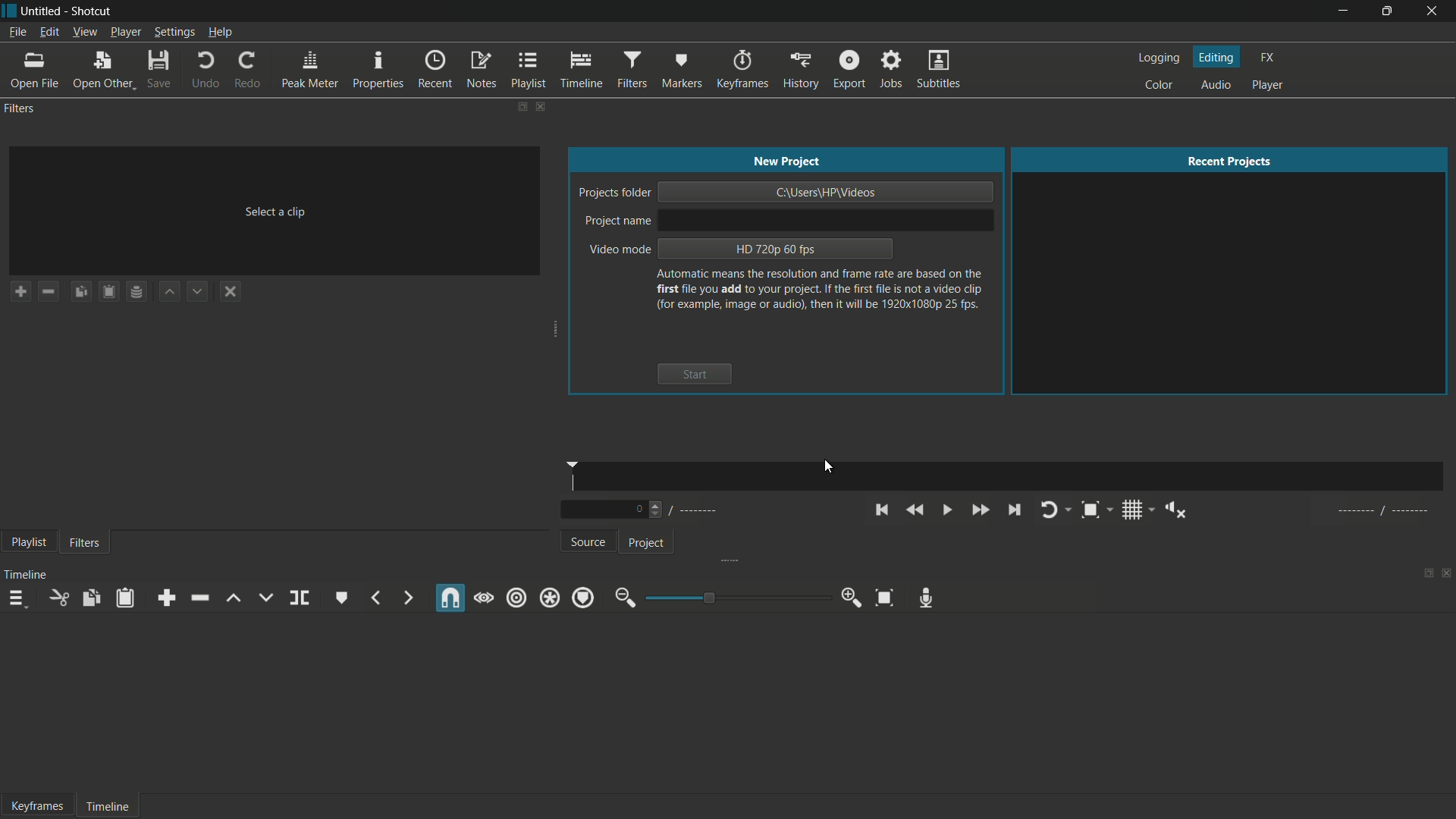  I want to click on project name, so click(618, 221).